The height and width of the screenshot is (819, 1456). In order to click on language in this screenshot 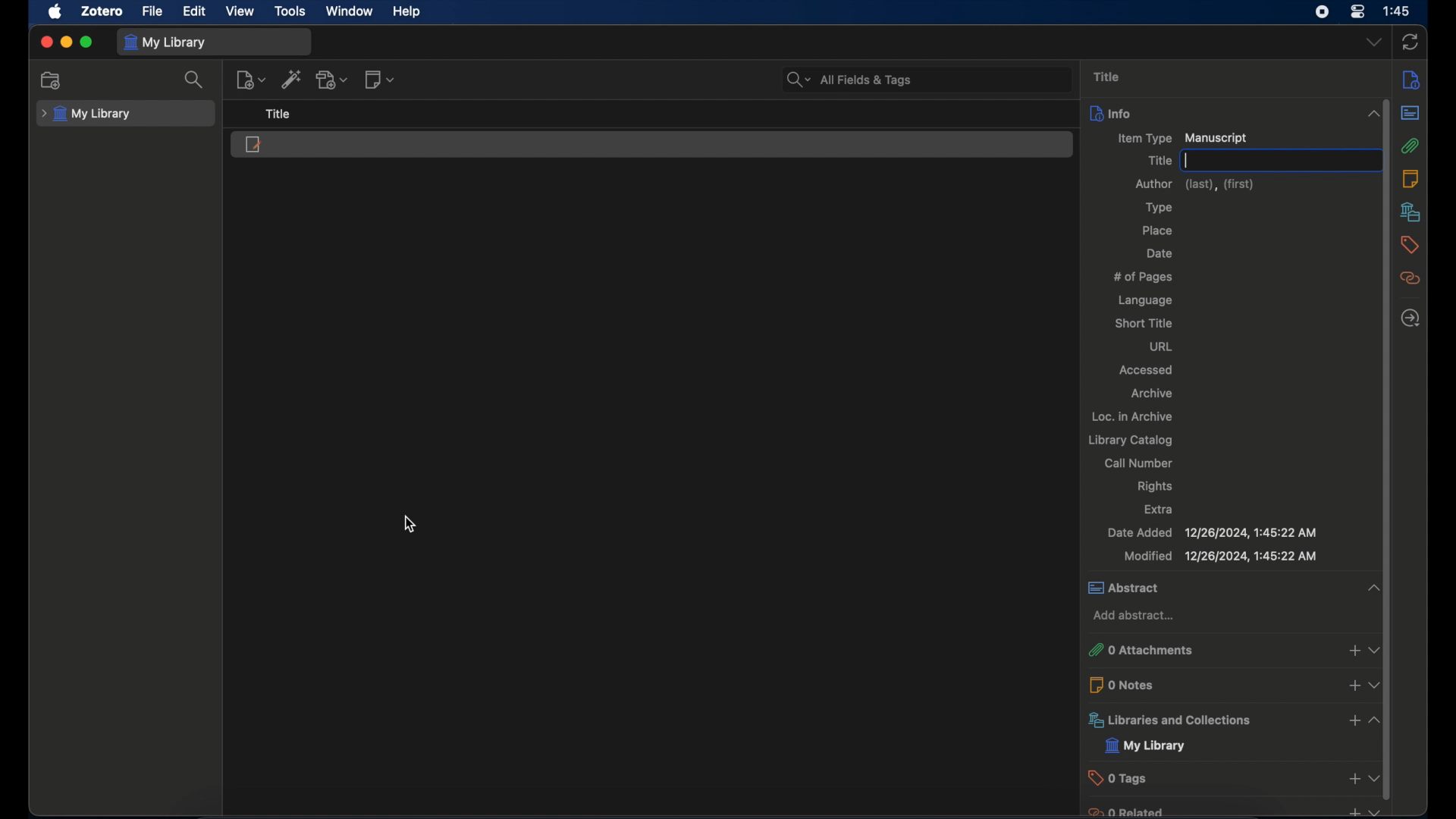, I will do `click(1146, 300)`.